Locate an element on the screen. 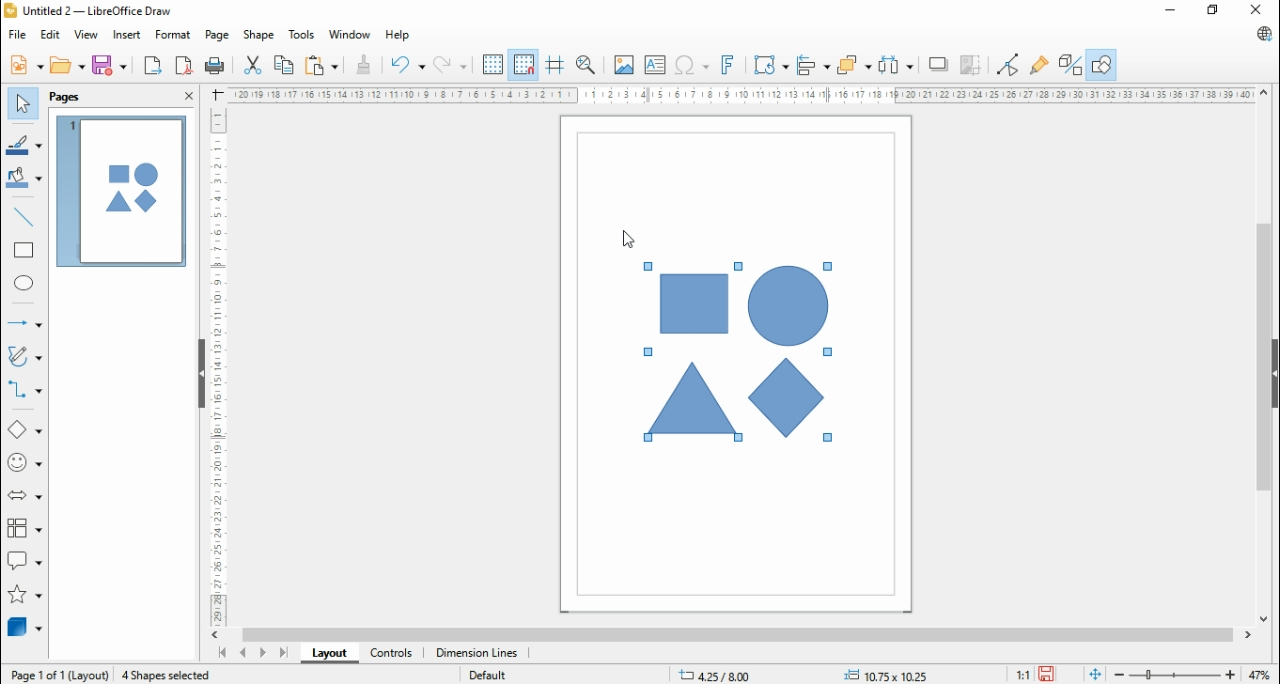 The width and height of the screenshot is (1280, 684). snap to grids is located at coordinates (523, 64).